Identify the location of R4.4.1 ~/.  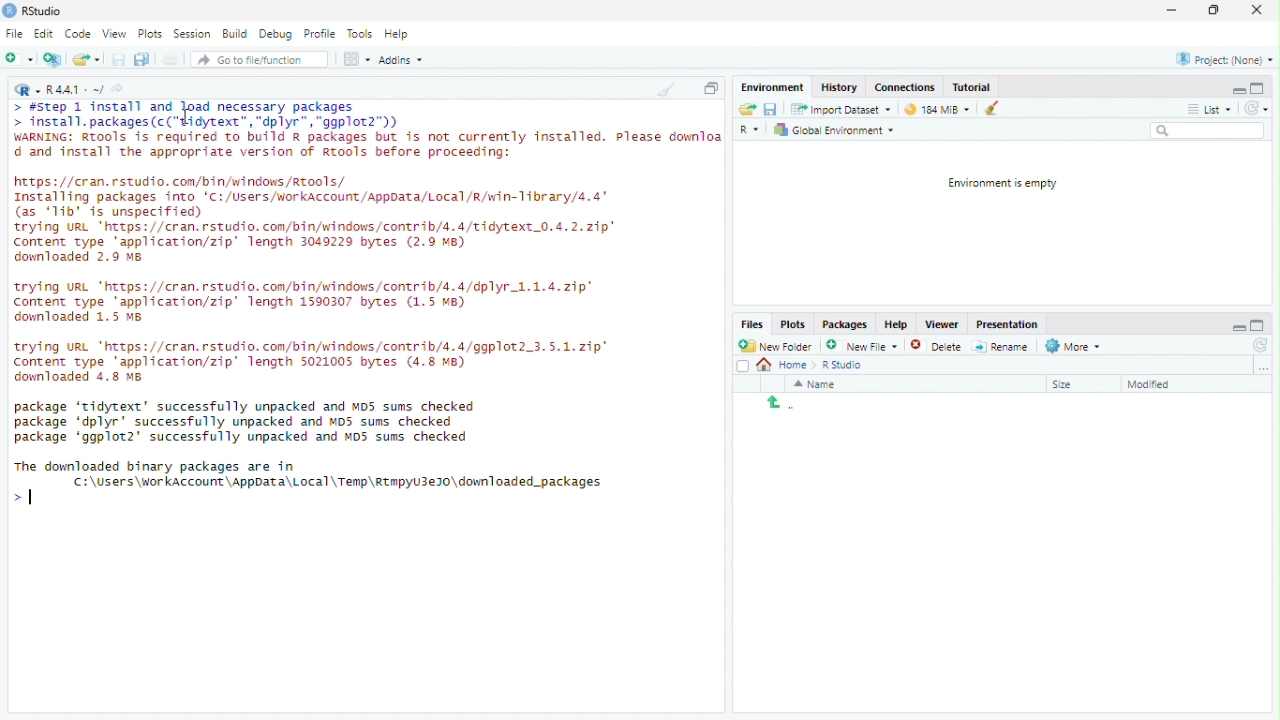
(77, 91).